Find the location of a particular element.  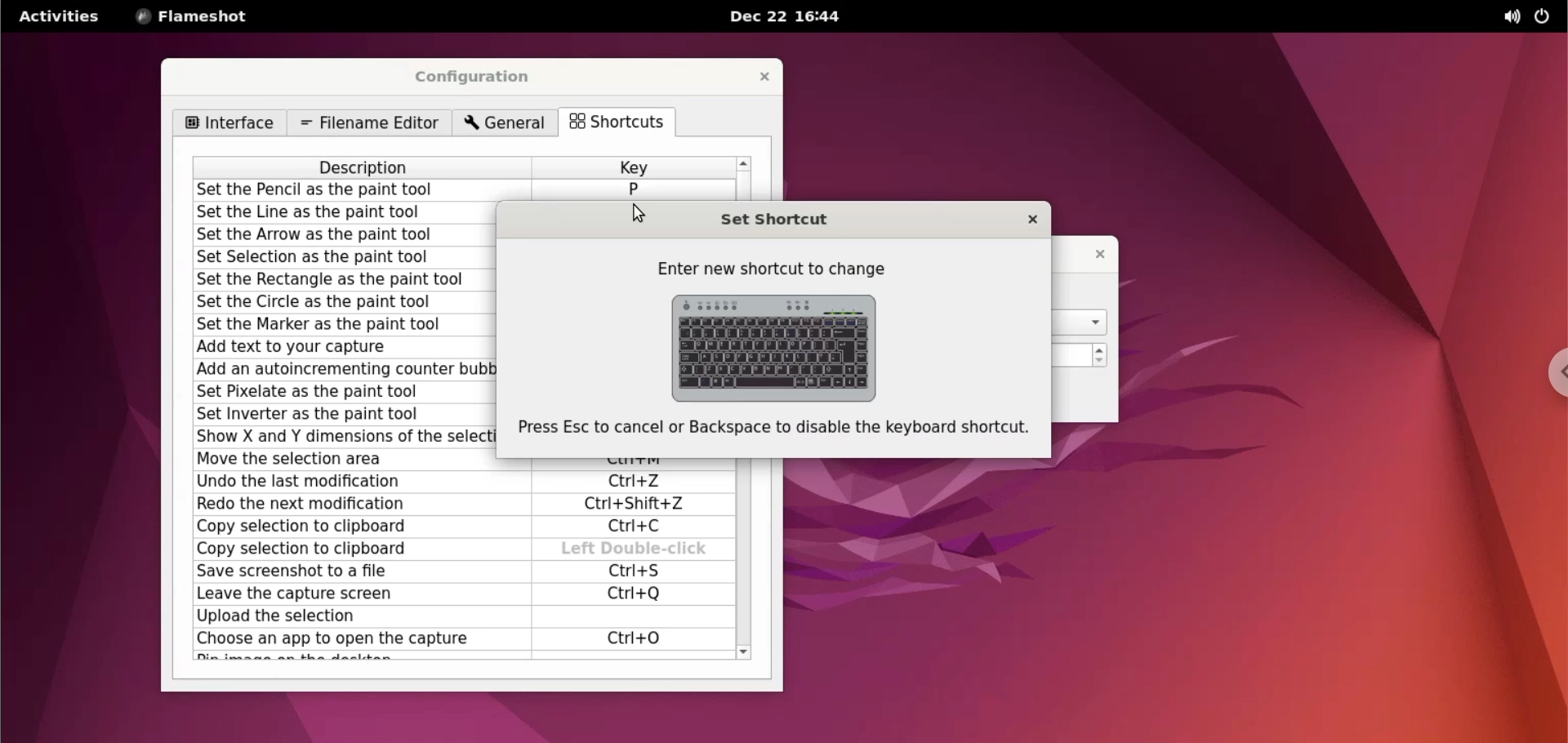

keyboard icon is located at coordinates (781, 347).